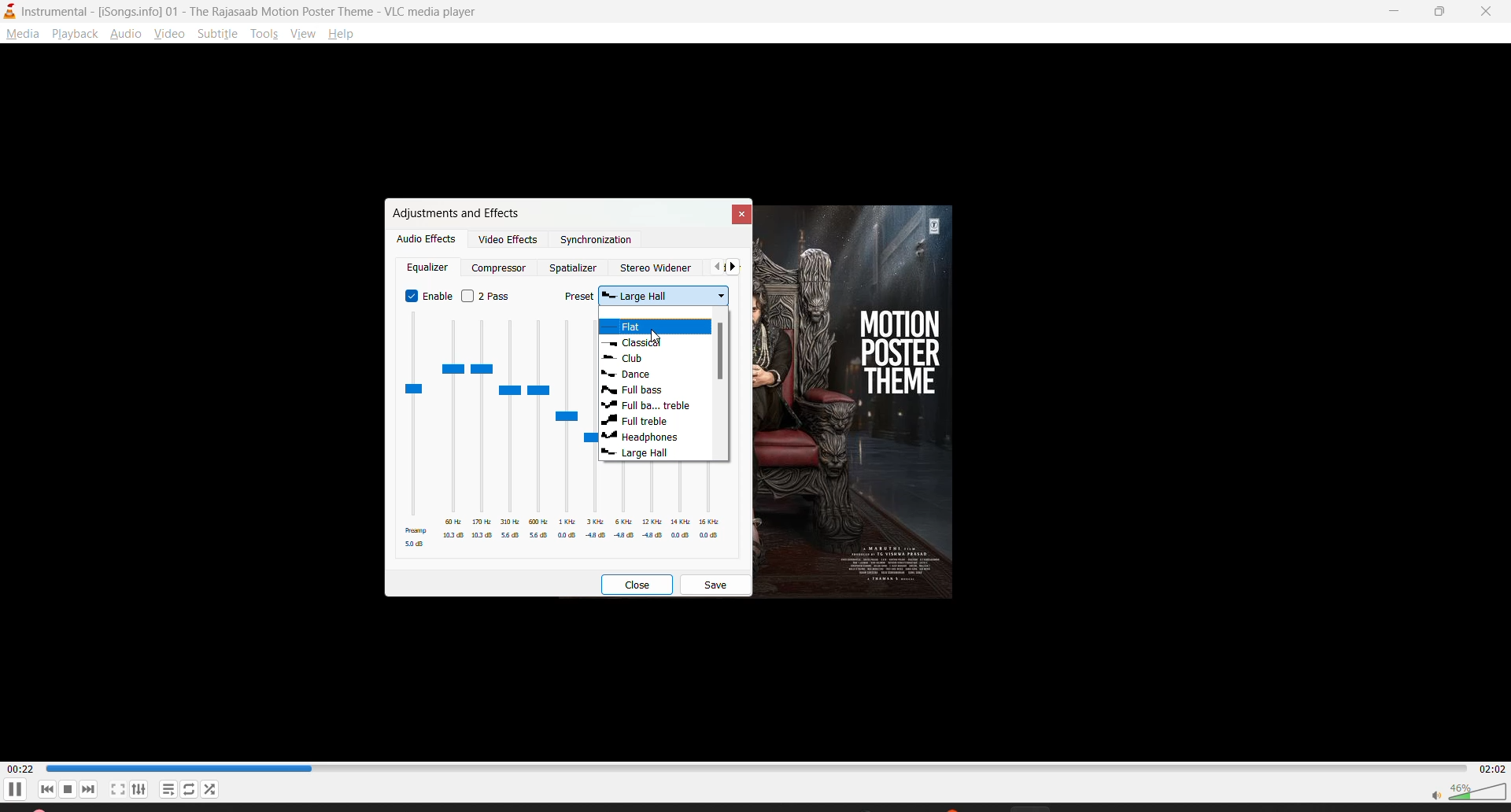 This screenshot has width=1511, height=812. I want to click on previous, so click(47, 790).